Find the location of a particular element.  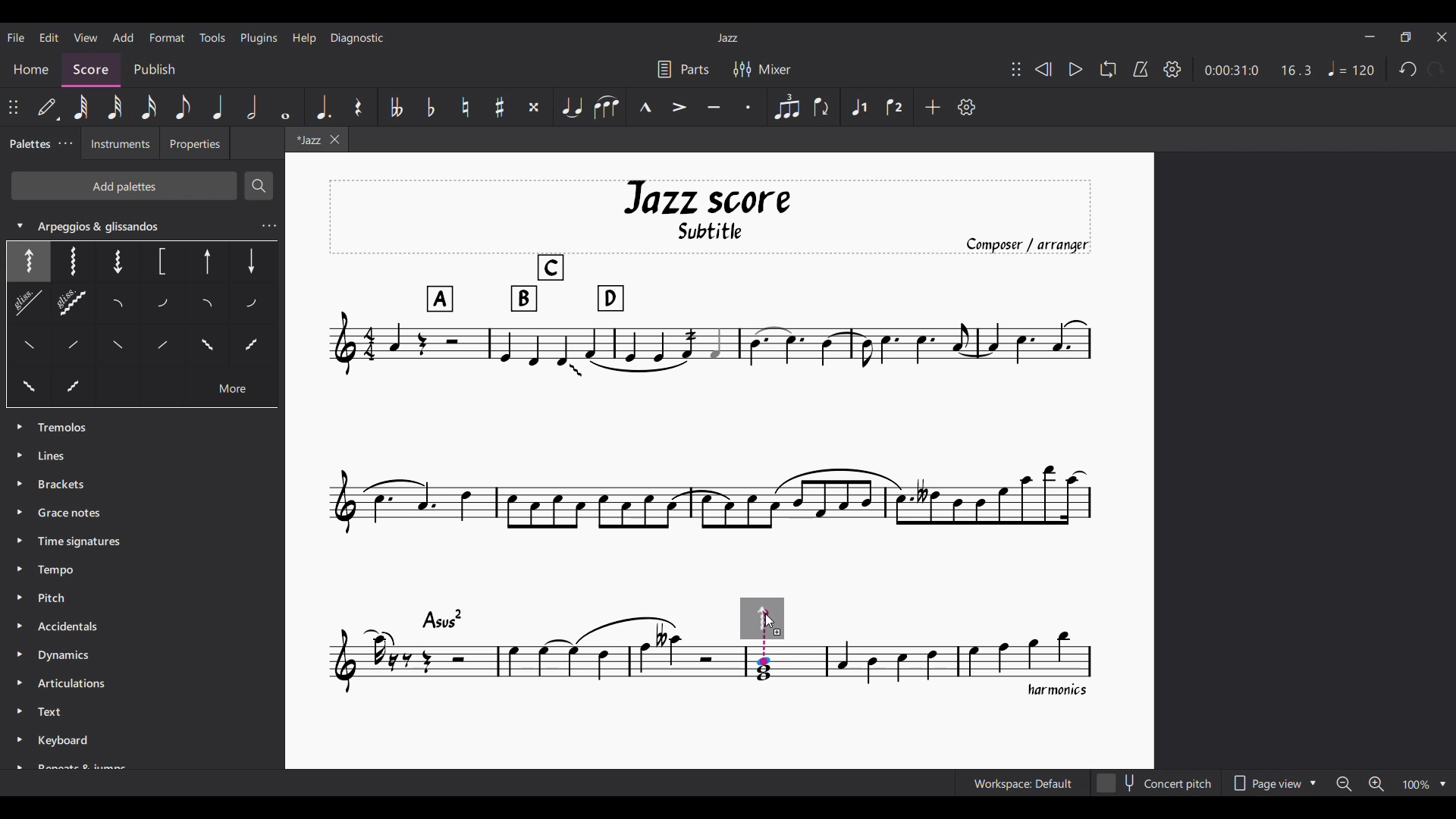

Slur is located at coordinates (606, 108).